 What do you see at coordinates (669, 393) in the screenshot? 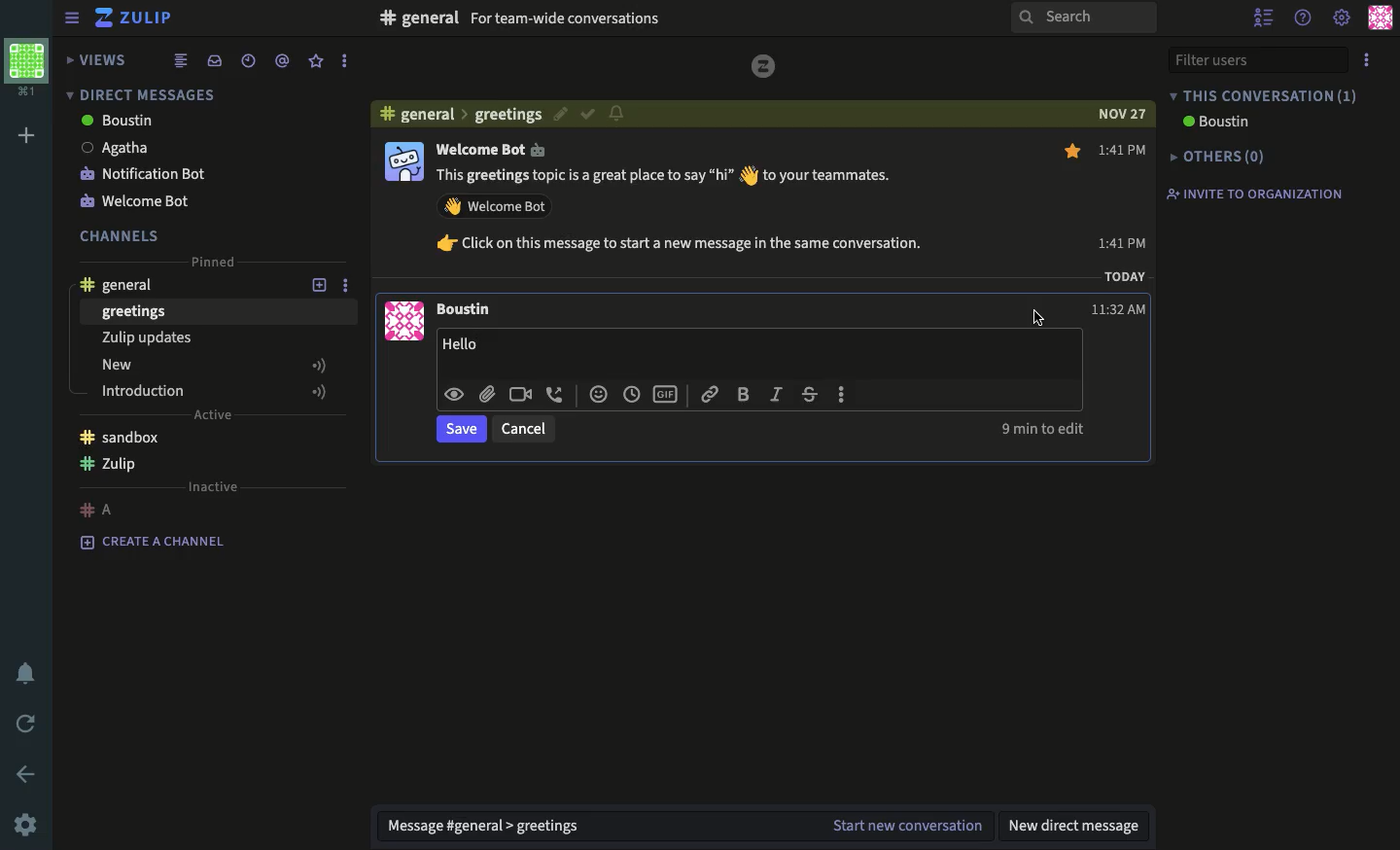
I see `gif` at bounding box center [669, 393].